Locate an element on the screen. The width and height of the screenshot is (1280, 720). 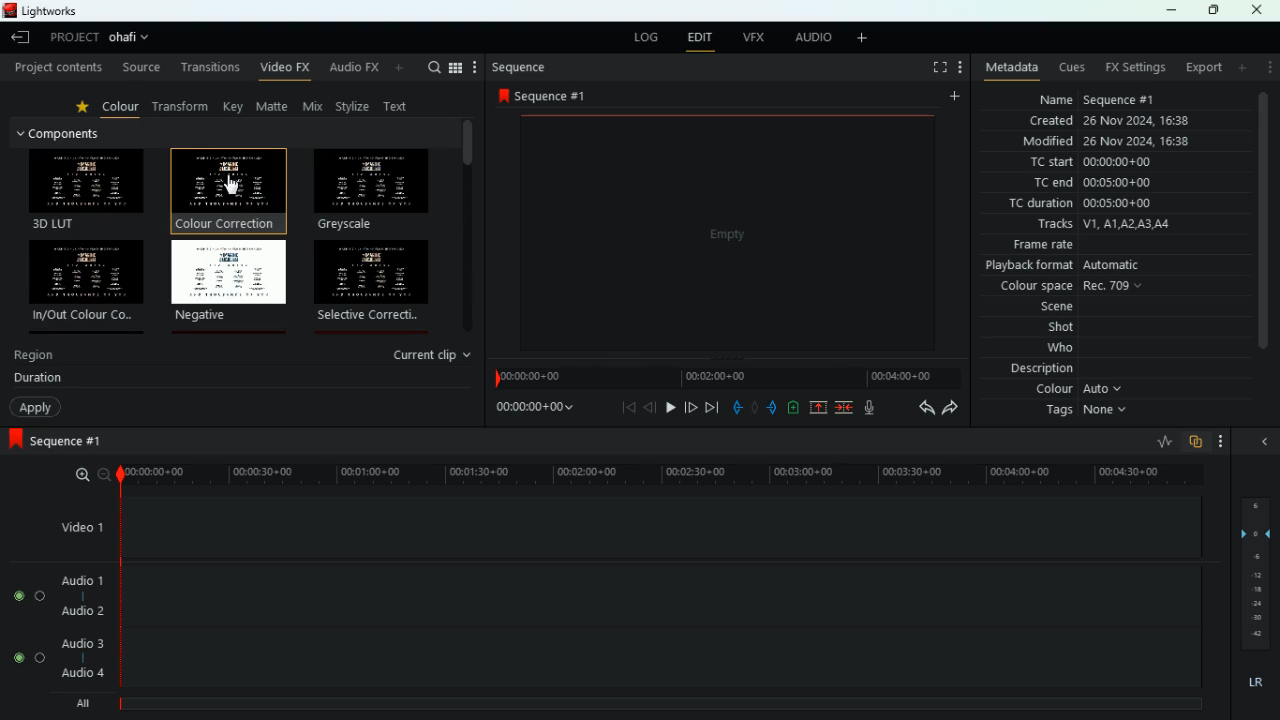
overlap is located at coordinates (1194, 442).